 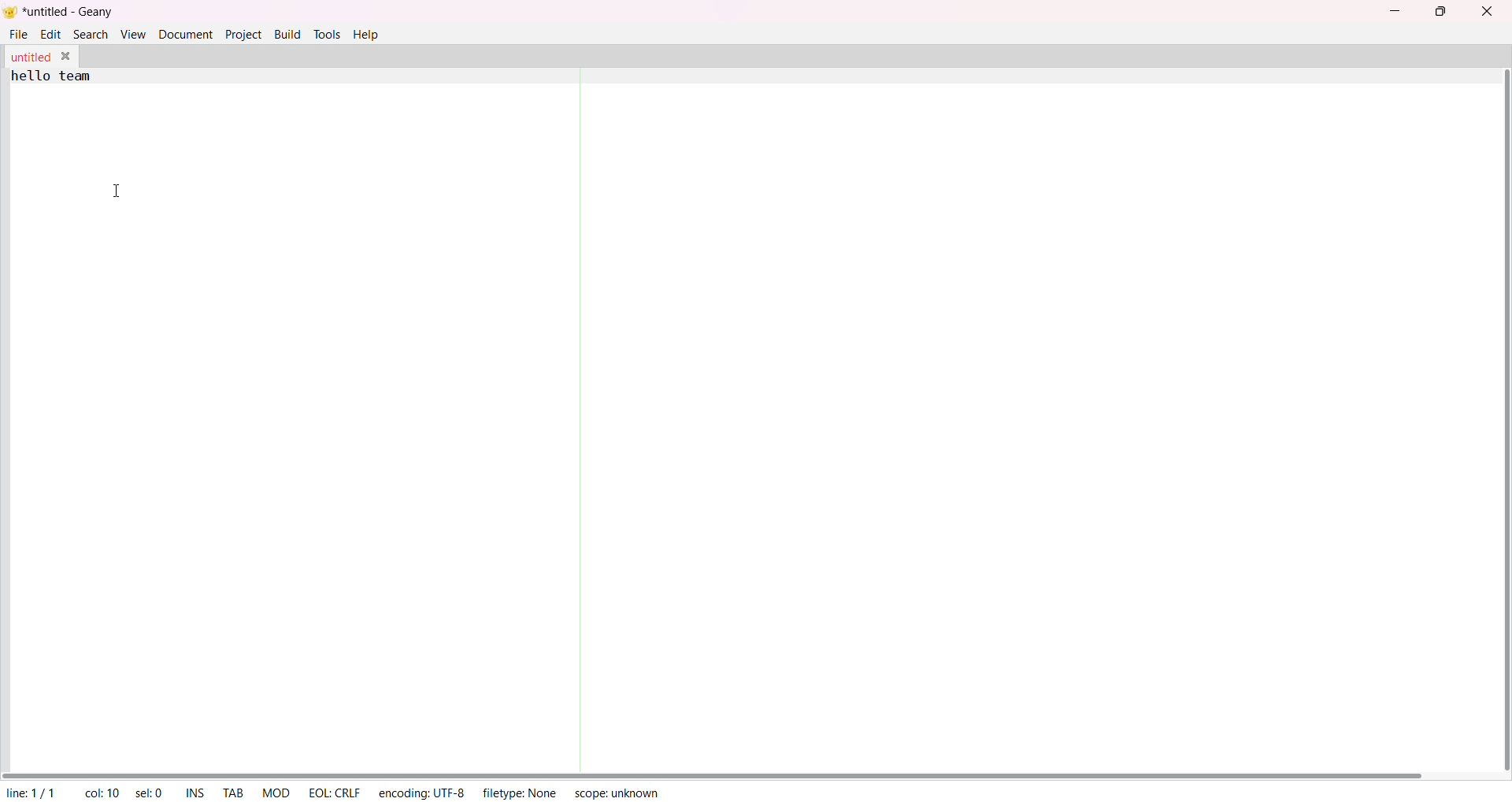 I want to click on scope: unknown, so click(x=617, y=792).